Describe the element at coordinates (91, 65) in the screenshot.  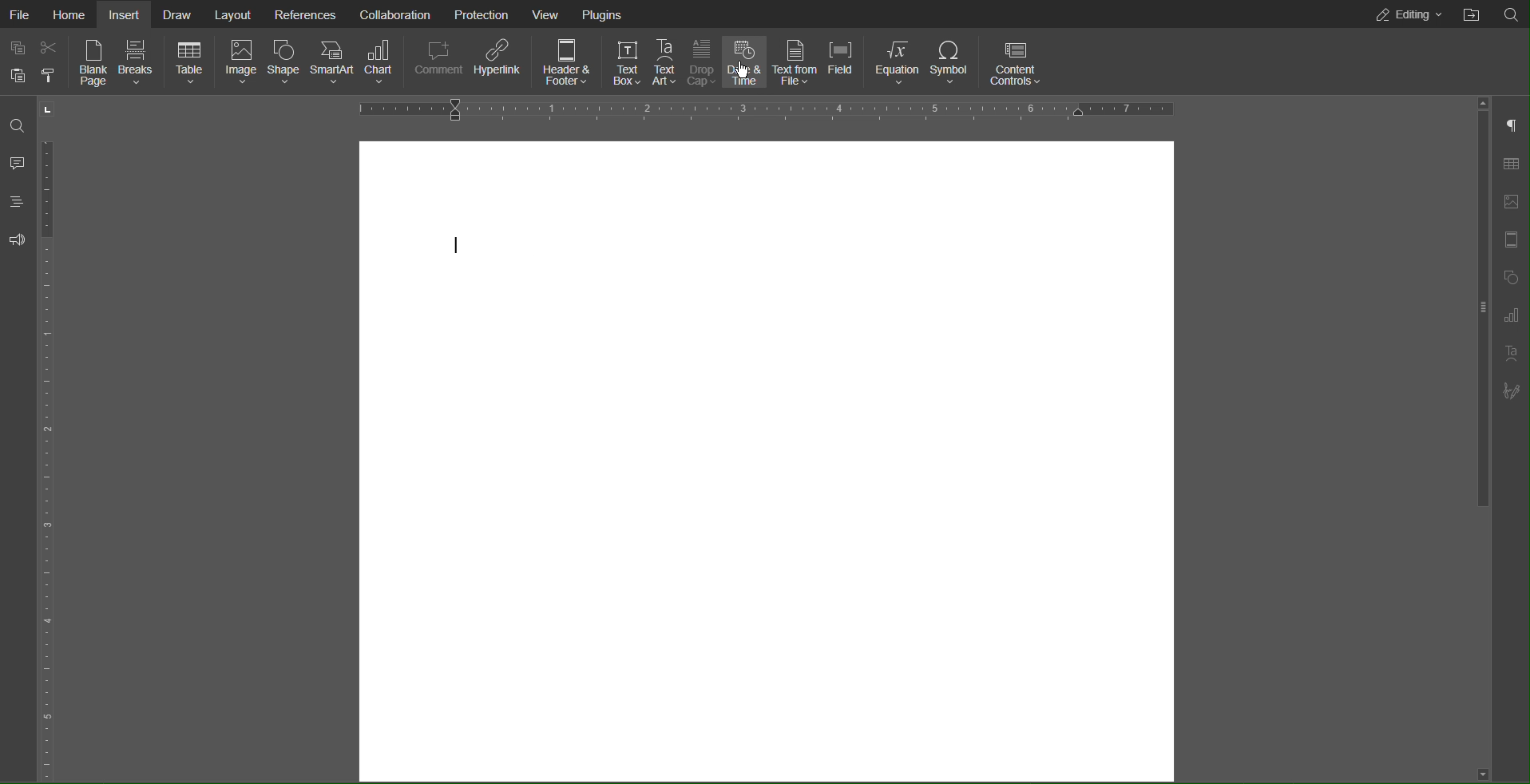
I see `Blank Page` at that location.